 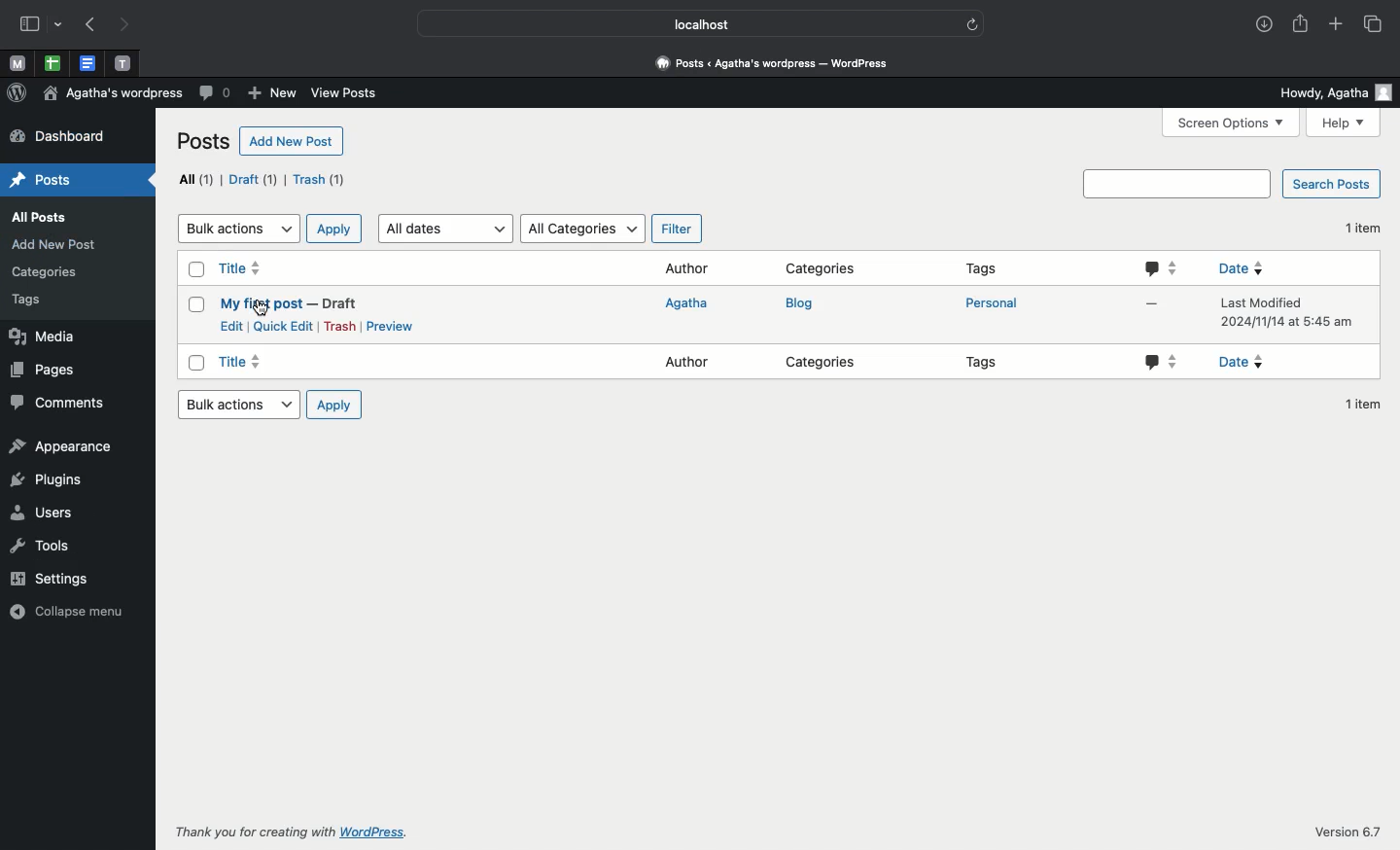 I want to click on Pages, so click(x=46, y=371).